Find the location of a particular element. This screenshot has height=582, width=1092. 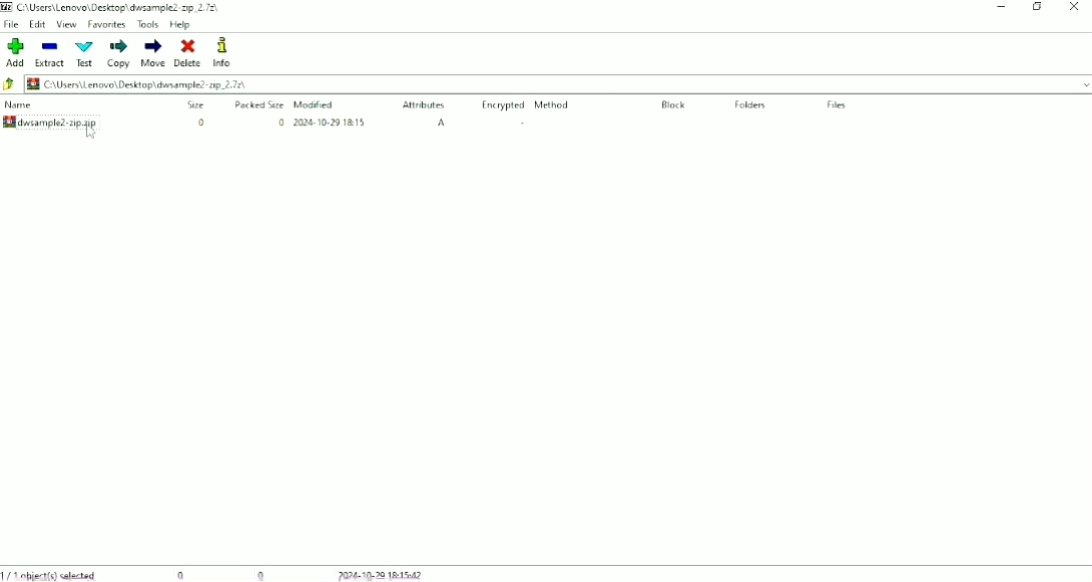

Add is located at coordinates (14, 52).